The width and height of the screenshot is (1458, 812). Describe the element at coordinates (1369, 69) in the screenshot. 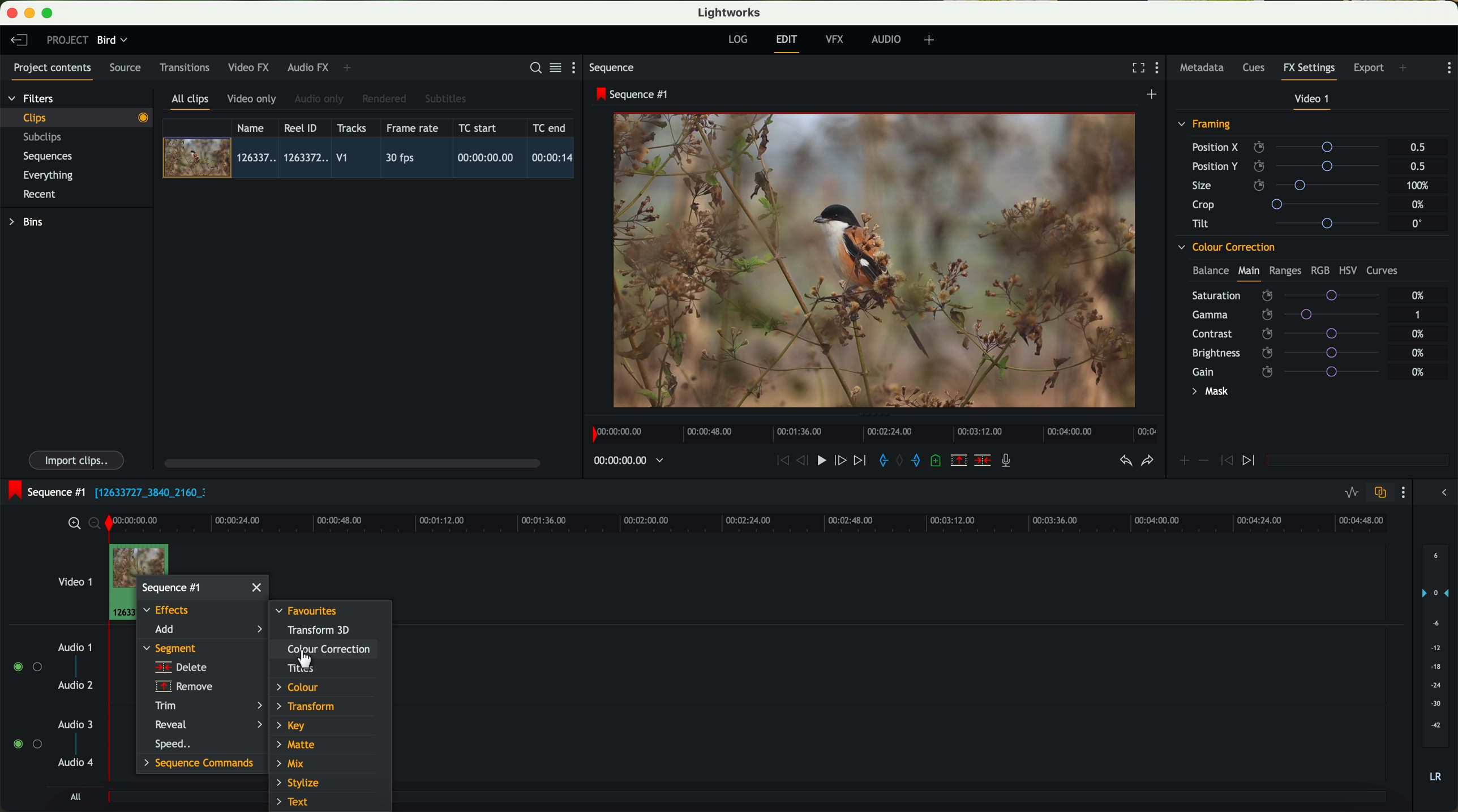

I see `export` at that location.